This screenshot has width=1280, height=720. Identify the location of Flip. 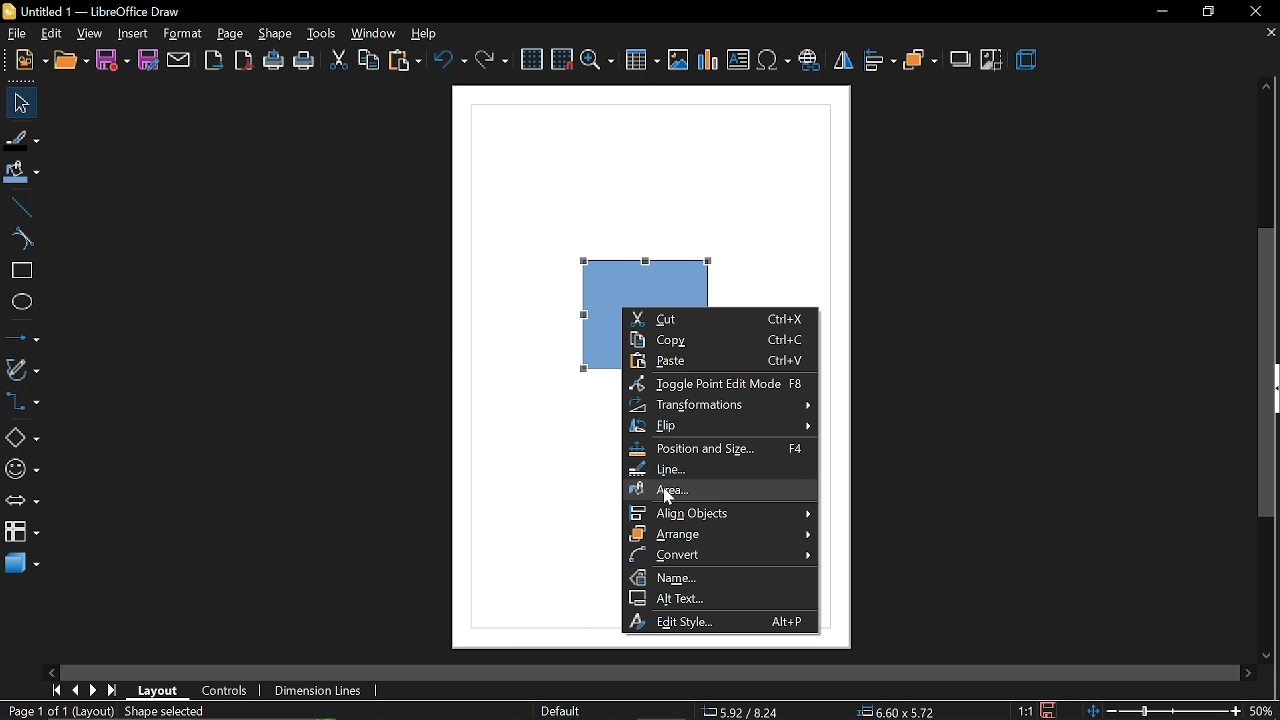
(720, 427).